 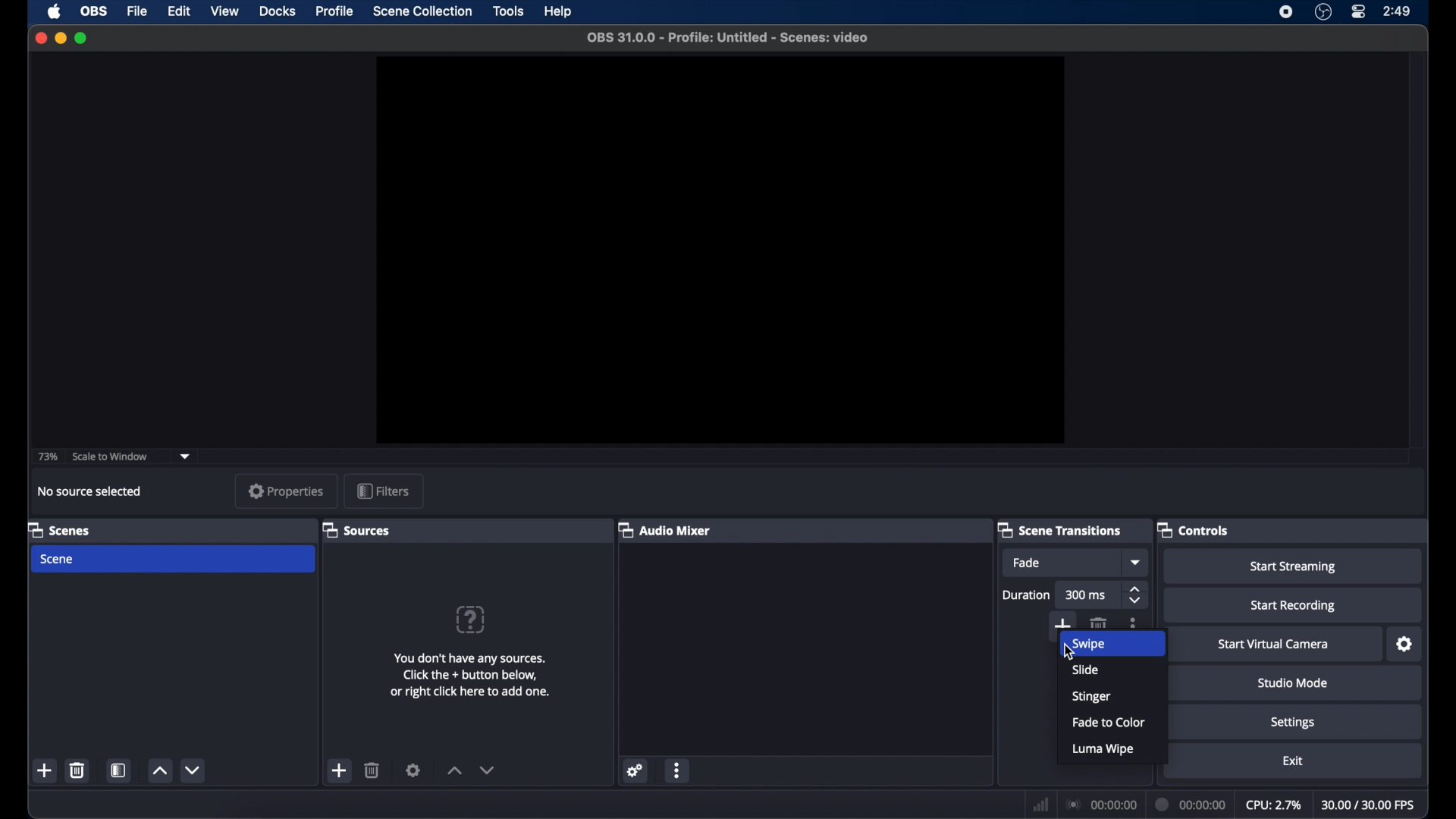 I want to click on start streaming, so click(x=1293, y=566).